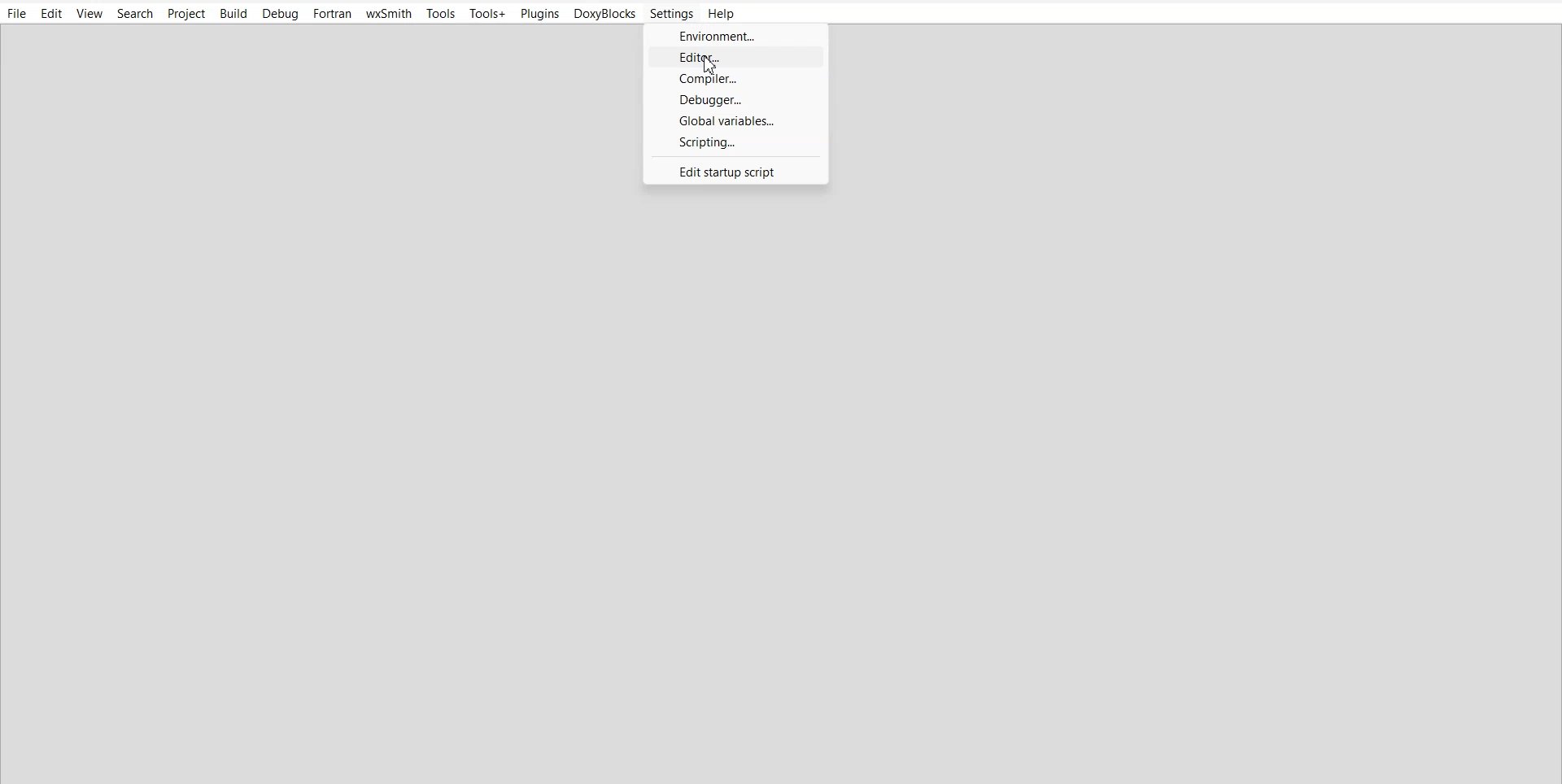 This screenshot has width=1562, height=784. What do you see at coordinates (233, 13) in the screenshot?
I see `Build` at bounding box center [233, 13].